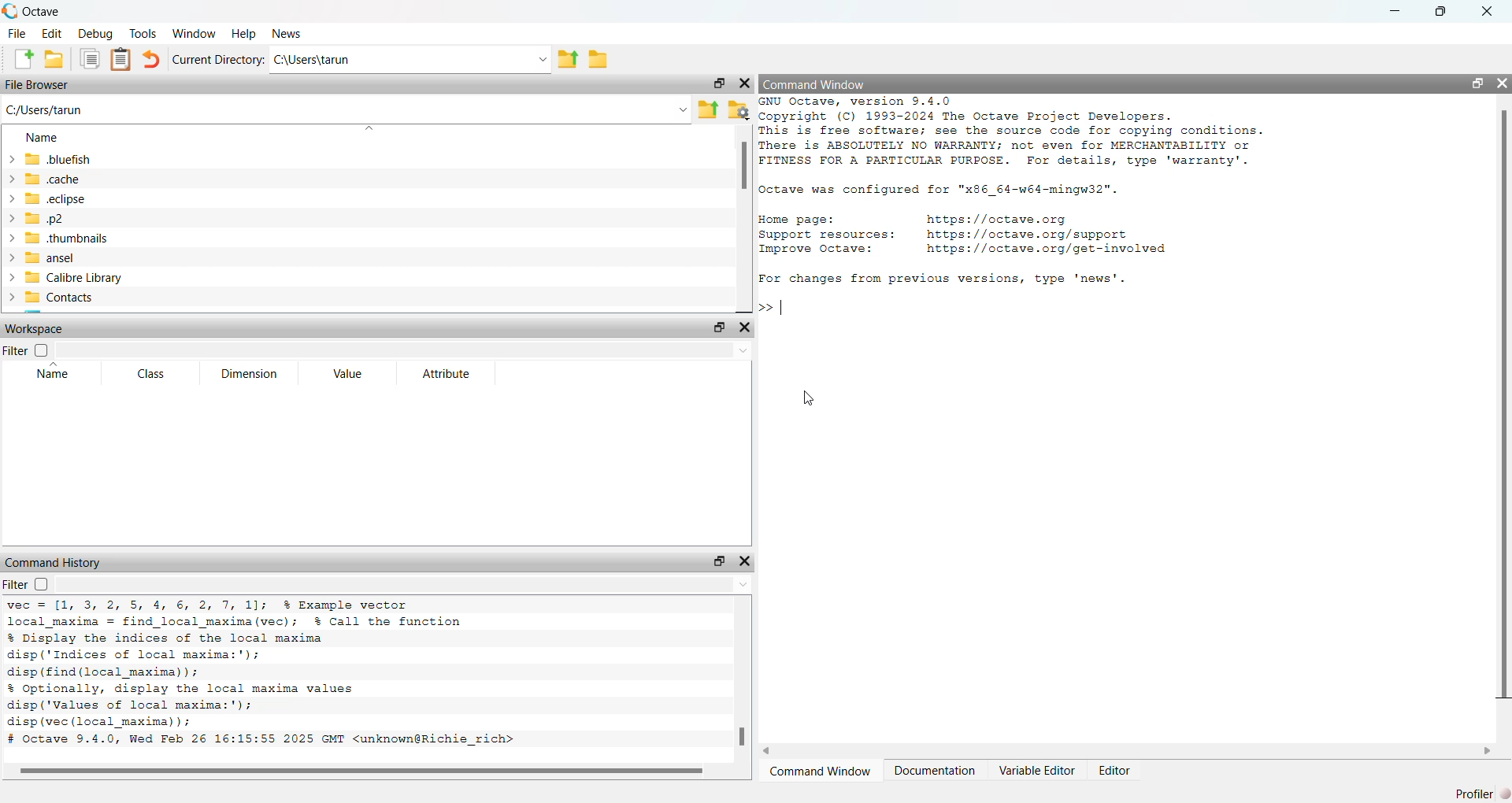 The image size is (1512, 803). What do you see at coordinates (707, 109) in the screenshot?
I see `One directory up` at bounding box center [707, 109].